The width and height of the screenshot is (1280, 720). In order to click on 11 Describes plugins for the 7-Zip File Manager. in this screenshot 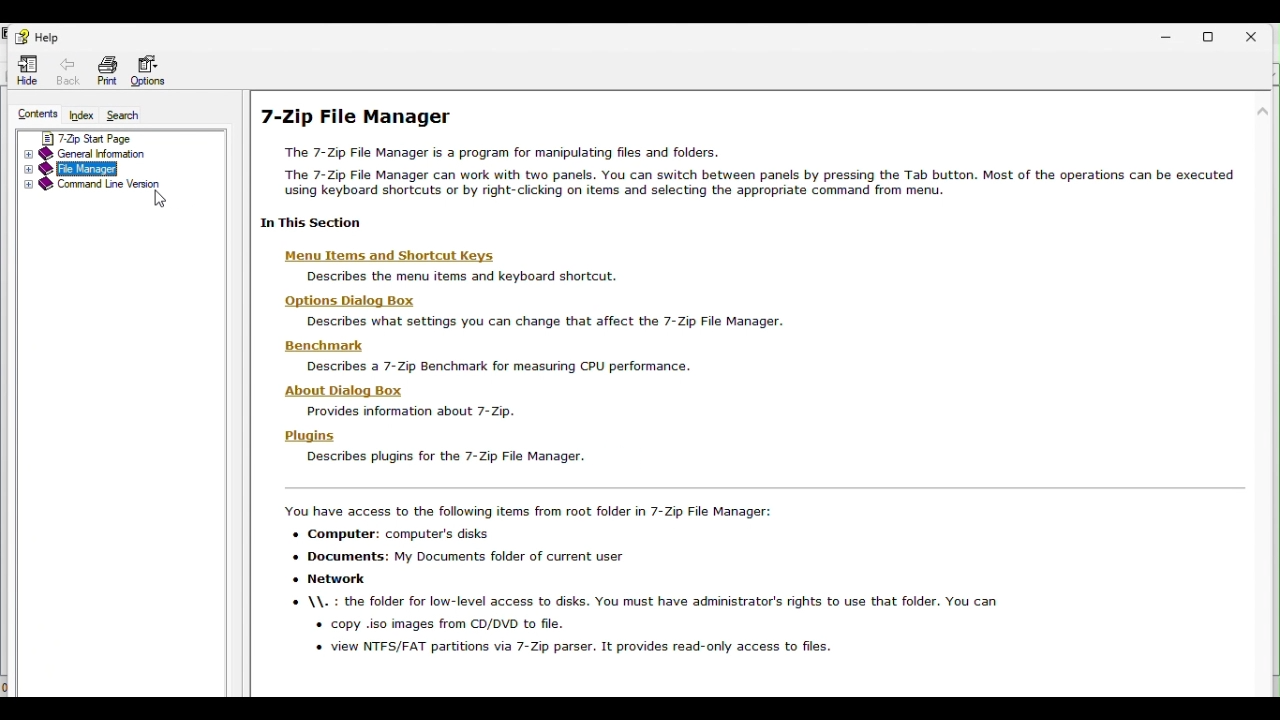, I will do `click(443, 457)`.